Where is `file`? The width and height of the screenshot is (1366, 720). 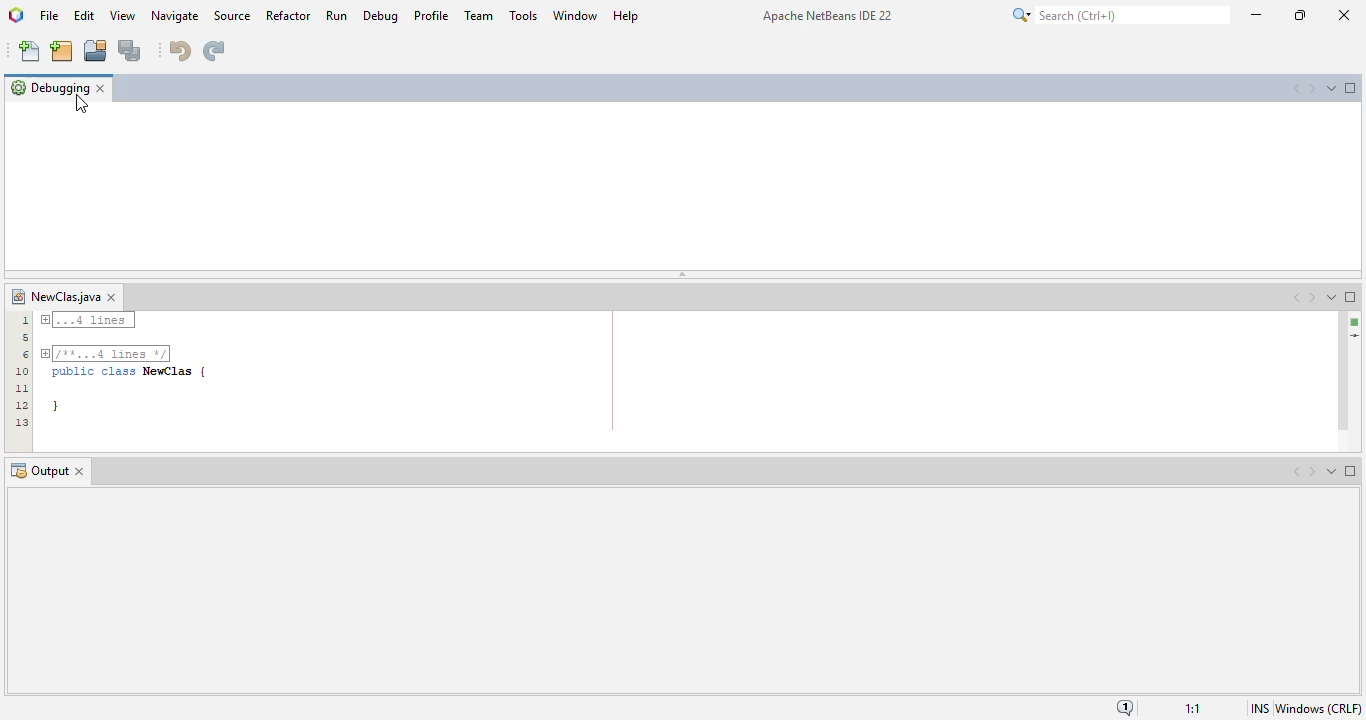 file is located at coordinates (50, 15).